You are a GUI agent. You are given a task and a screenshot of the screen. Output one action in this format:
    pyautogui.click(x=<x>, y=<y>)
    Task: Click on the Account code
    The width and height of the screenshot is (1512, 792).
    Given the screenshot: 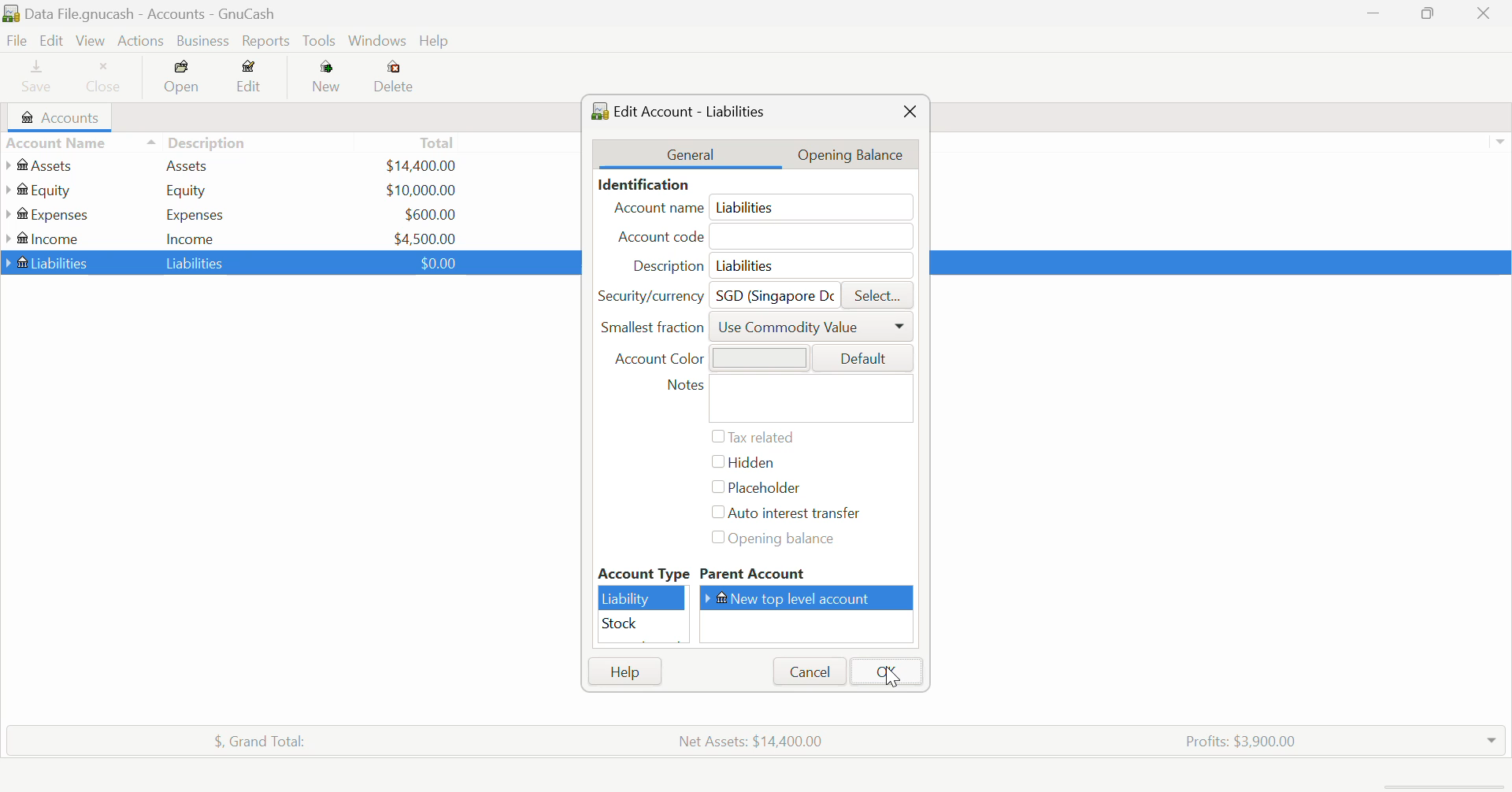 What is the action you would take?
    pyautogui.click(x=767, y=238)
    